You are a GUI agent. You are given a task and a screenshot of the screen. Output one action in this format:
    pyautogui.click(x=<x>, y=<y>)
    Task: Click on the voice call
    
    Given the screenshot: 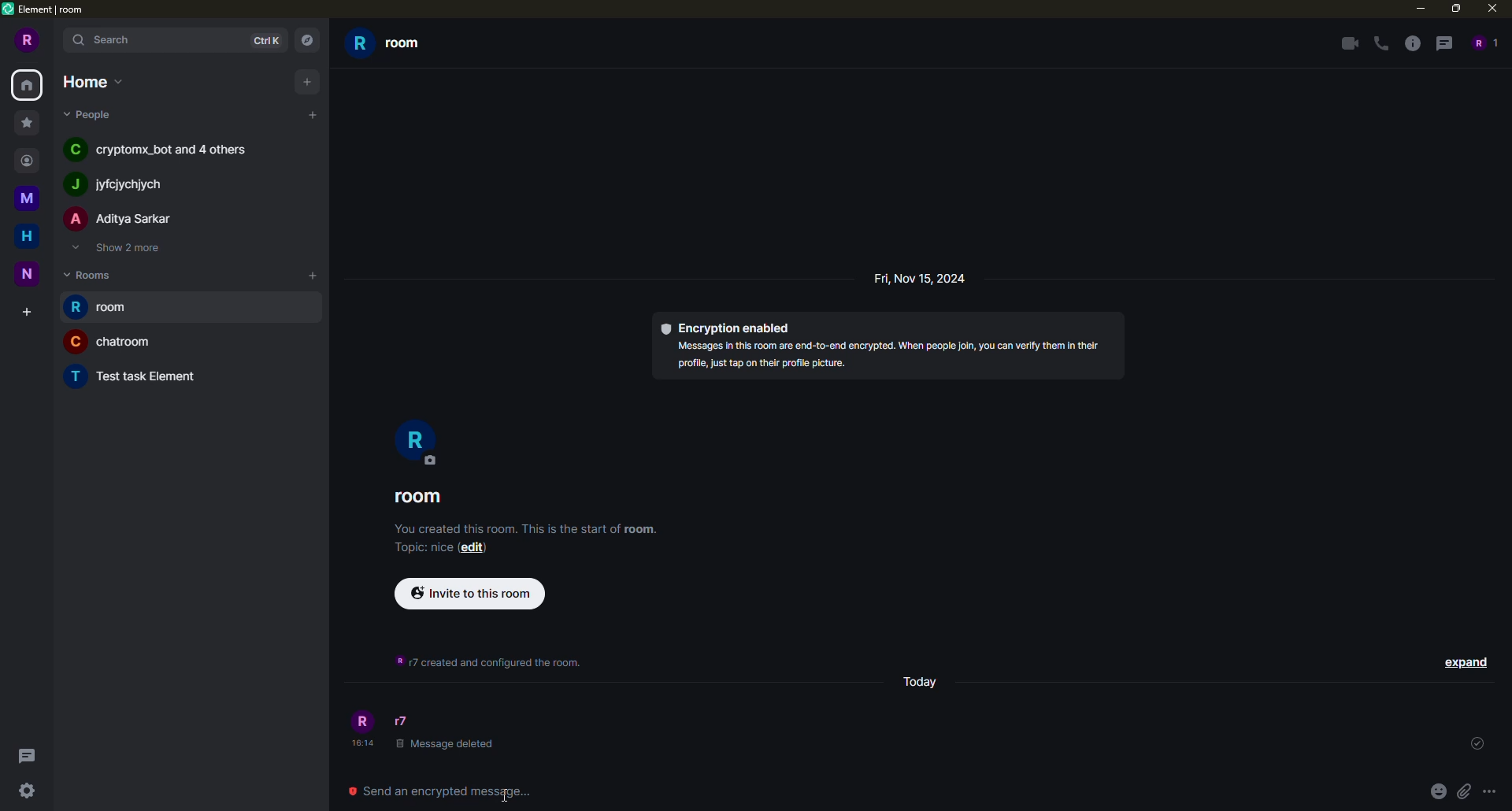 What is the action you would take?
    pyautogui.click(x=1380, y=43)
    